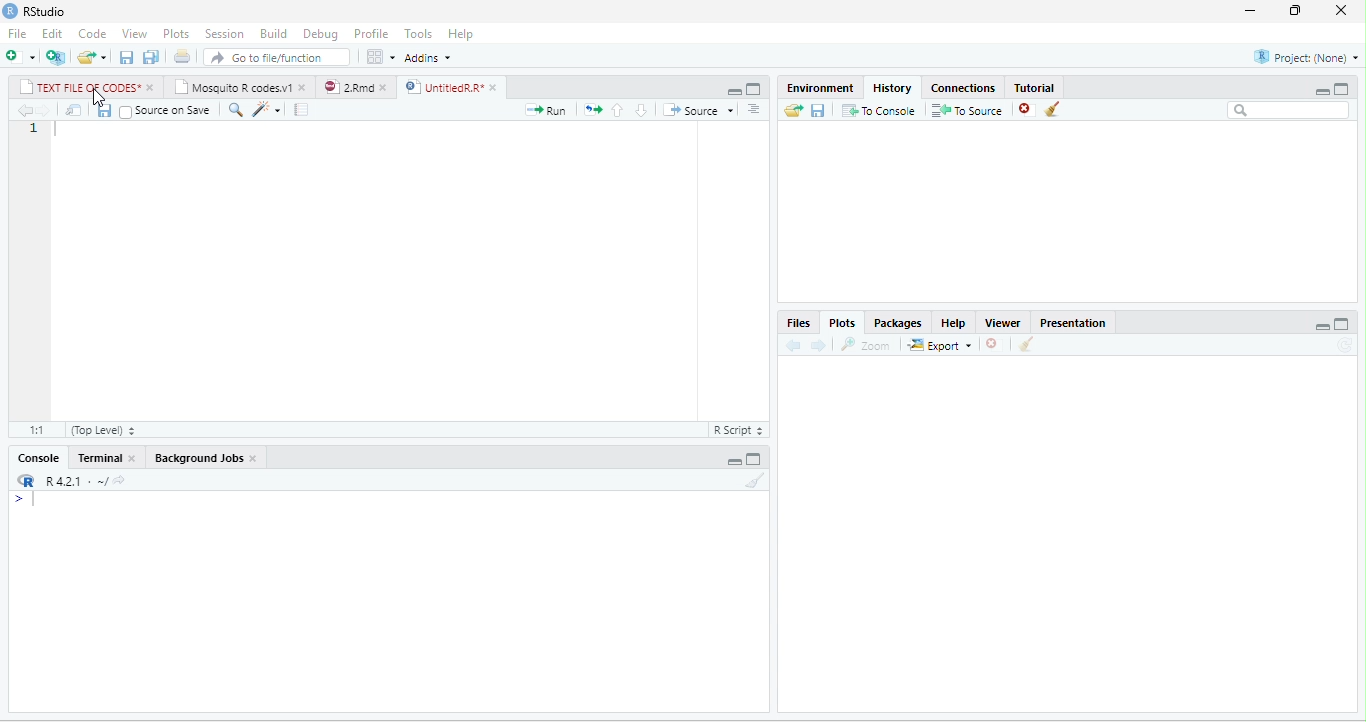 The width and height of the screenshot is (1366, 722). What do you see at coordinates (1072, 323) in the screenshot?
I see `Presentation` at bounding box center [1072, 323].